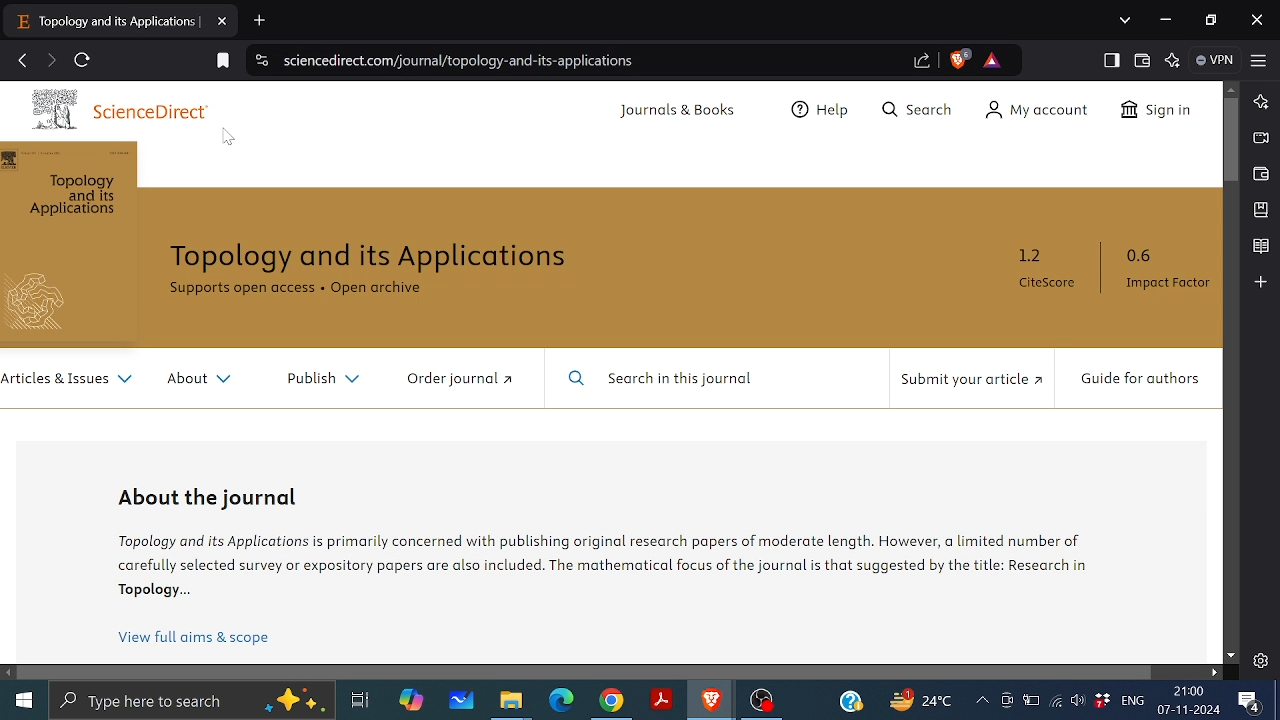 The image size is (1280, 720). What do you see at coordinates (411, 703) in the screenshot?
I see `Copilot` at bounding box center [411, 703].